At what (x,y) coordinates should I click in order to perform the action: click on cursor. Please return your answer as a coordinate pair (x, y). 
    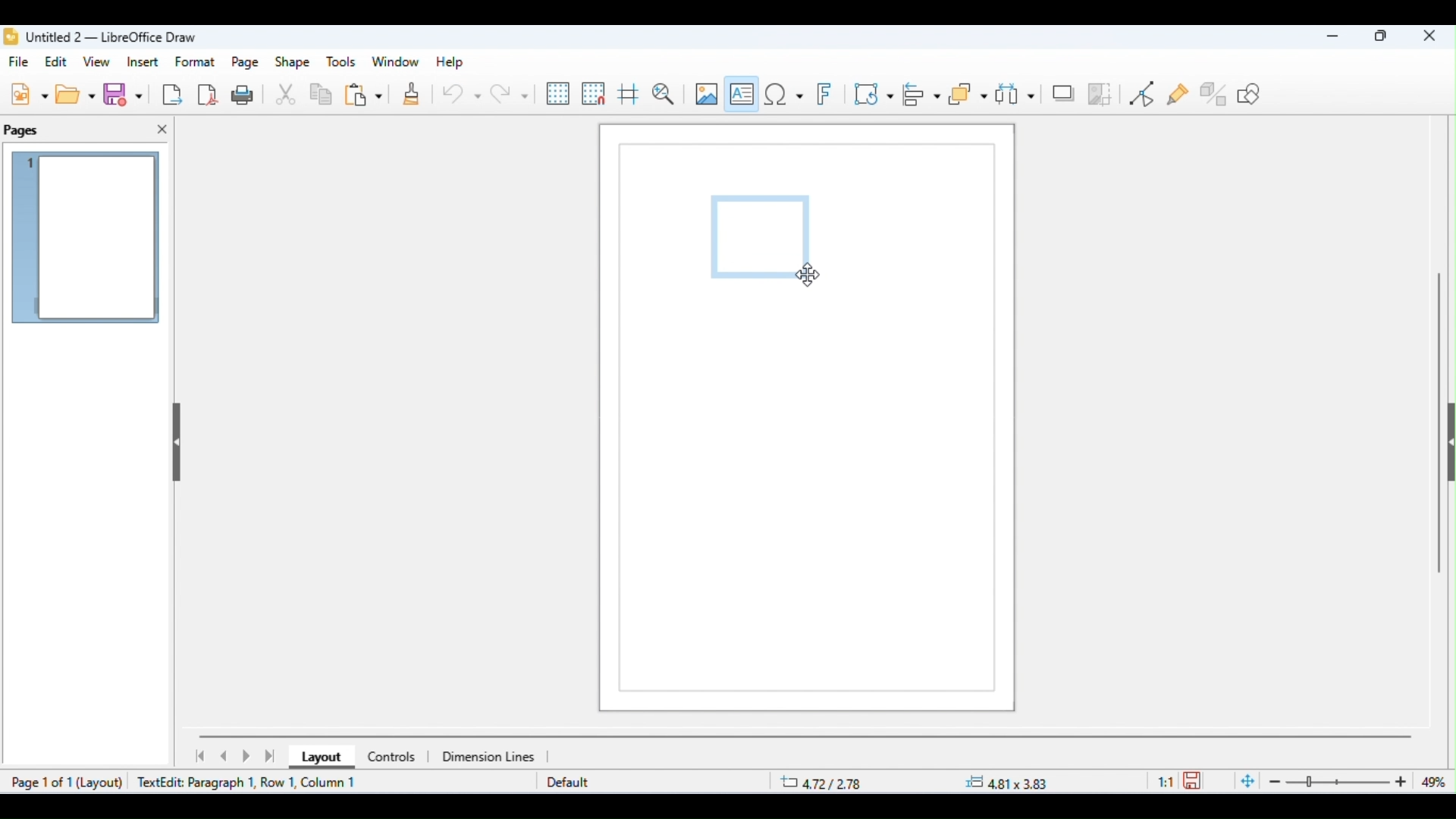
    Looking at the image, I should click on (807, 275).